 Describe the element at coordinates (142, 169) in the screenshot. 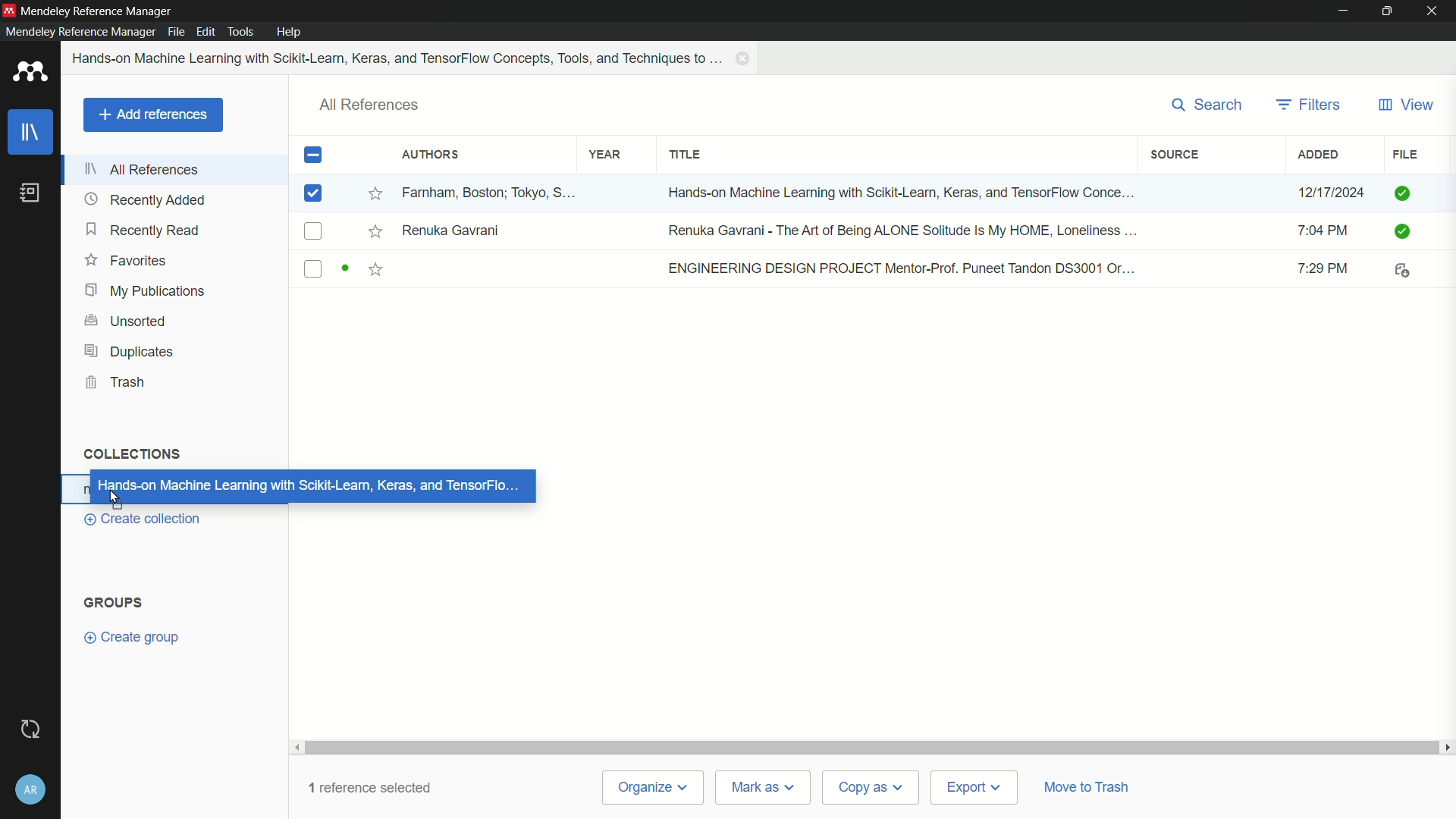

I see `all references` at that location.